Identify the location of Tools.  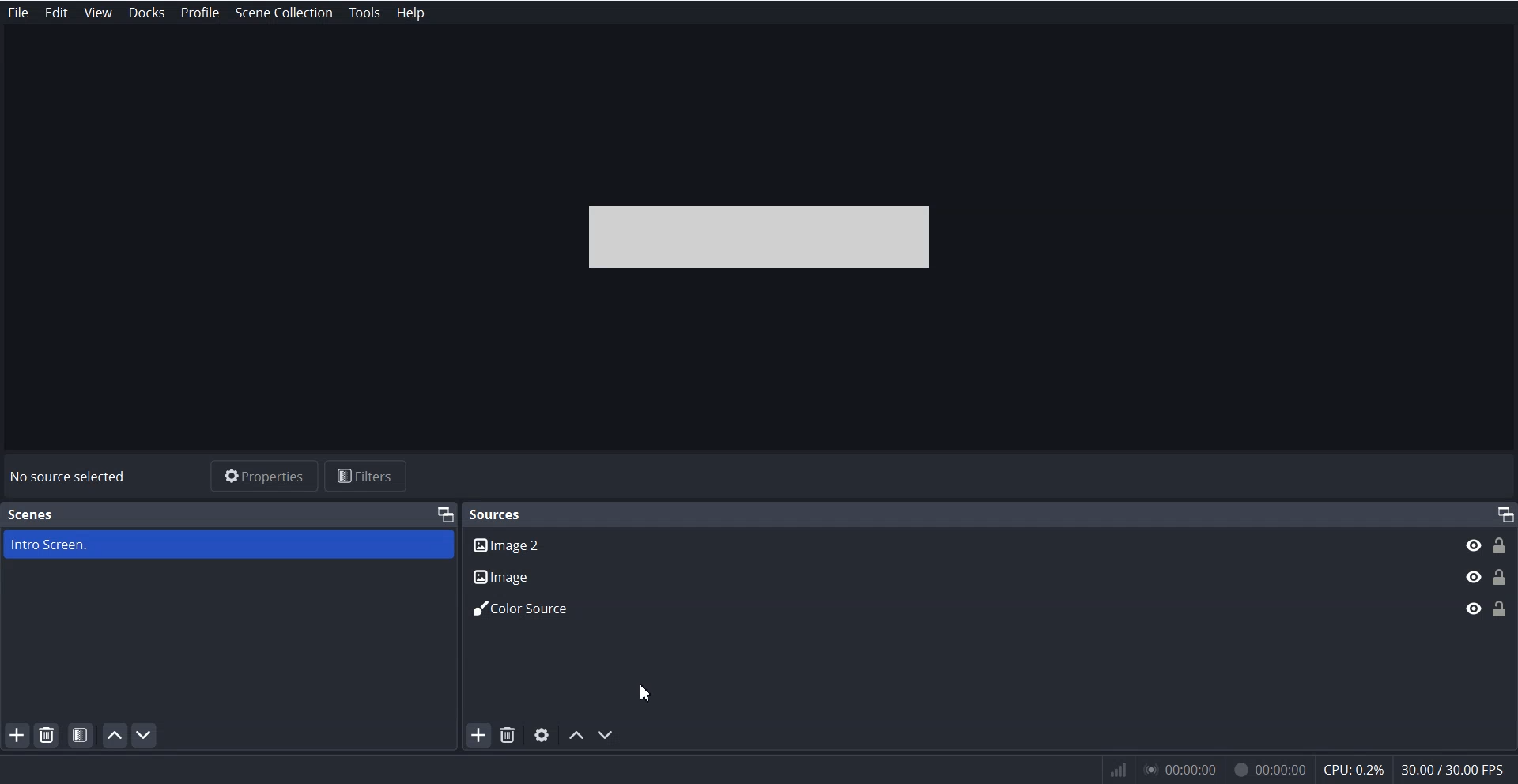
(365, 13).